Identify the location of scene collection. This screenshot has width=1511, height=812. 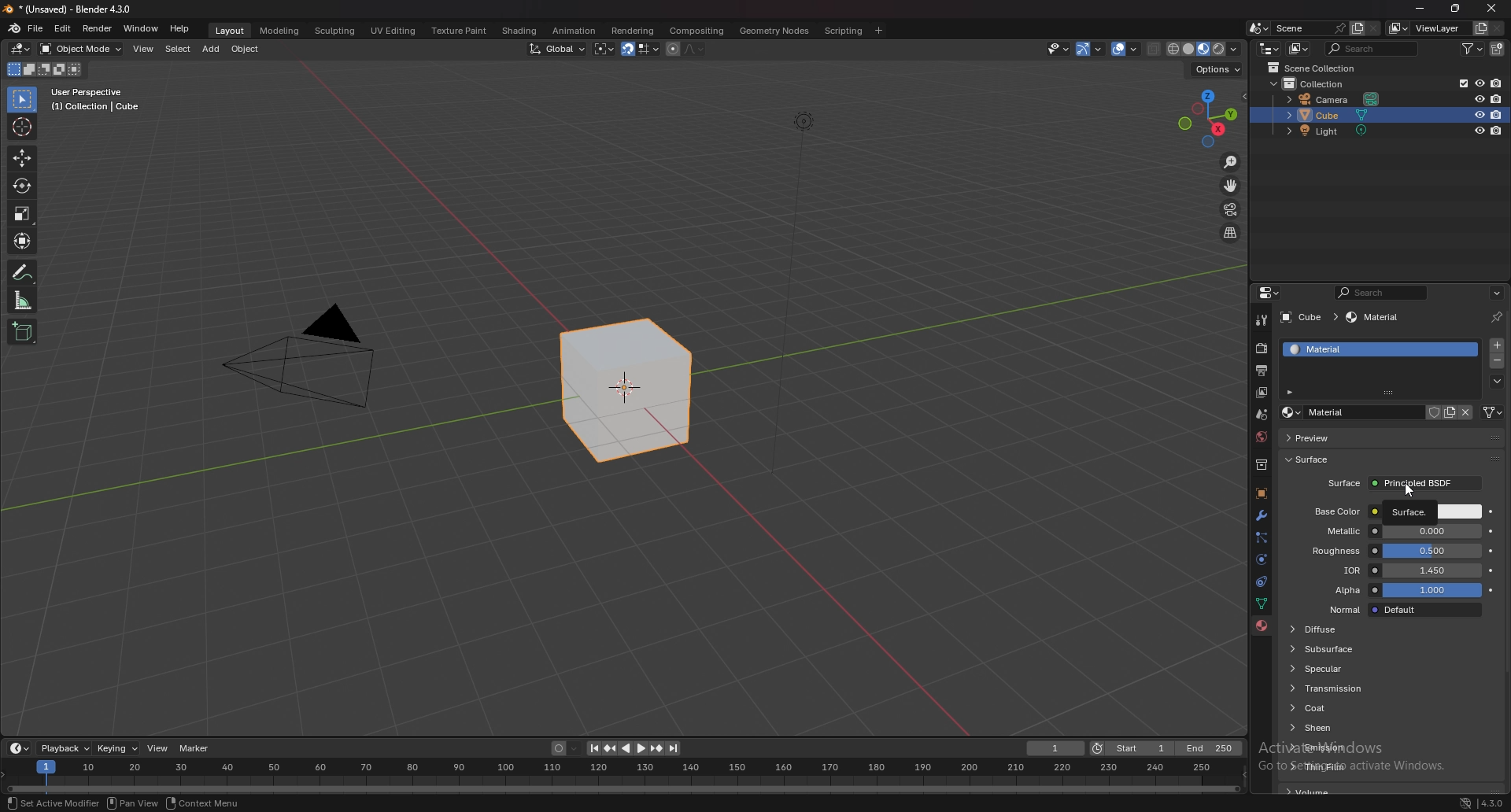
(1316, 68).